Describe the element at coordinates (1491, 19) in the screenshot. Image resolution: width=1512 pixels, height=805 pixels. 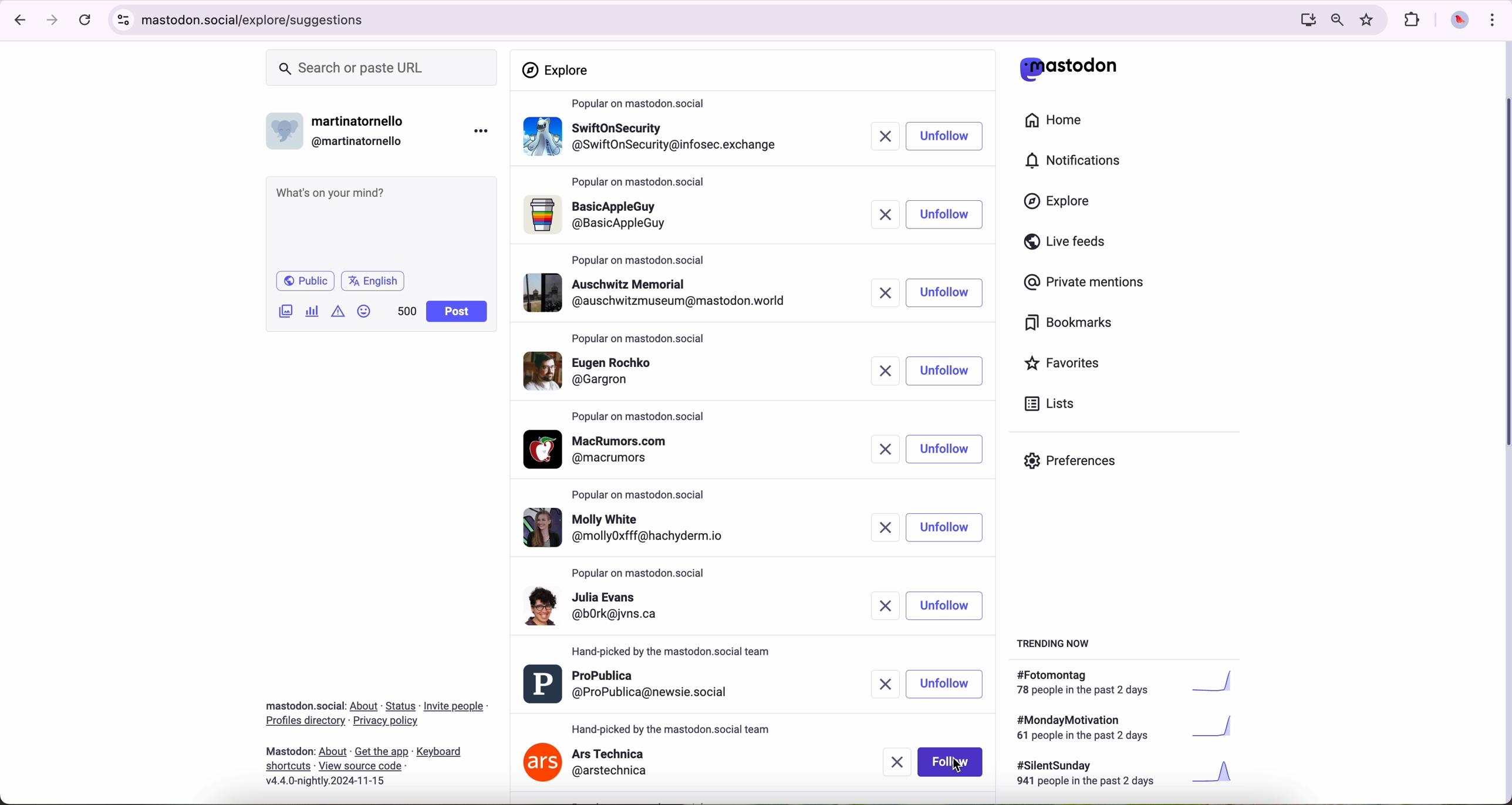
I see `customize and control Google Chrome` at that location.